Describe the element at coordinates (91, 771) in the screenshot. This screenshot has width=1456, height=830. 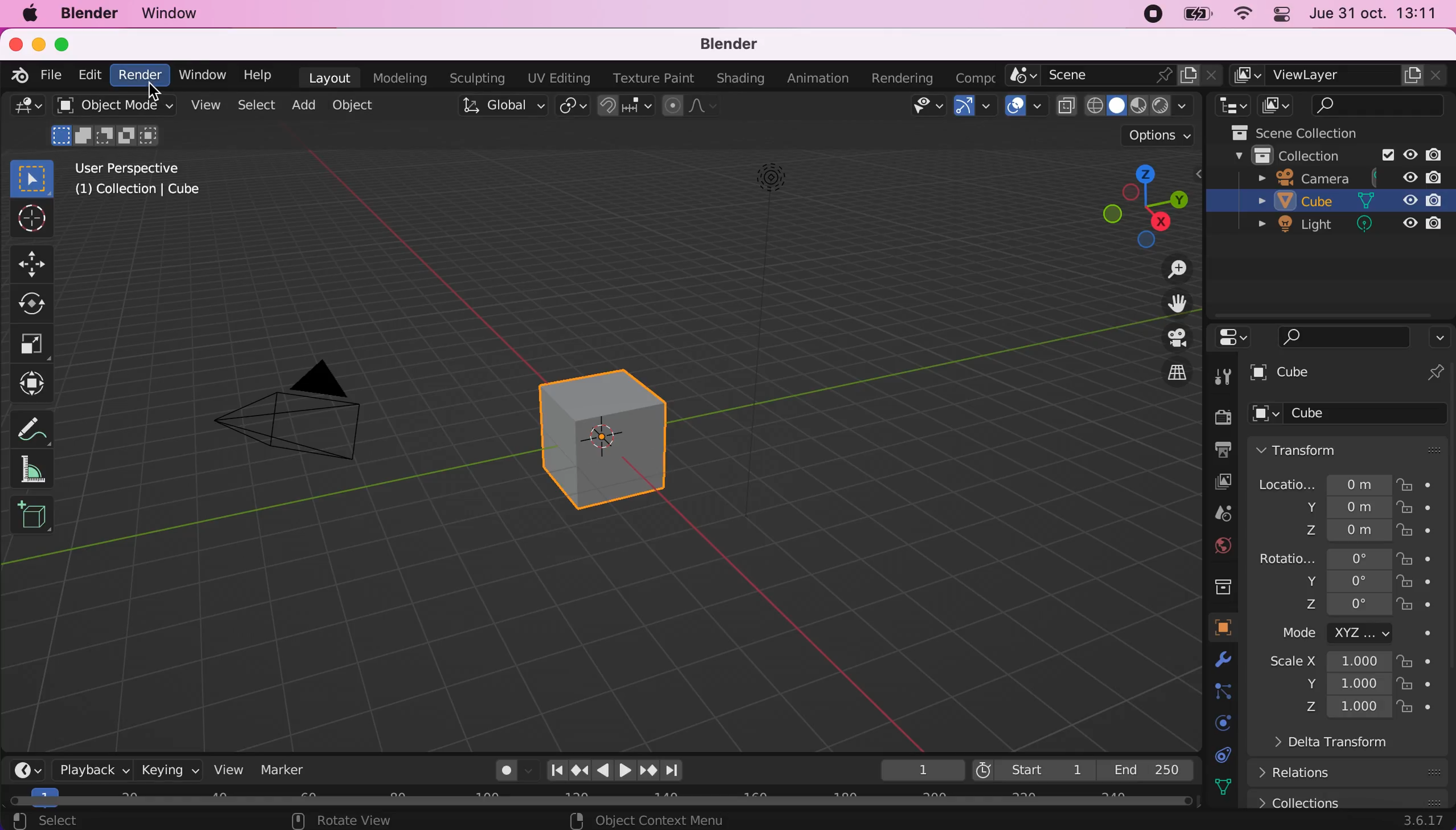
I see `playback` at that location.